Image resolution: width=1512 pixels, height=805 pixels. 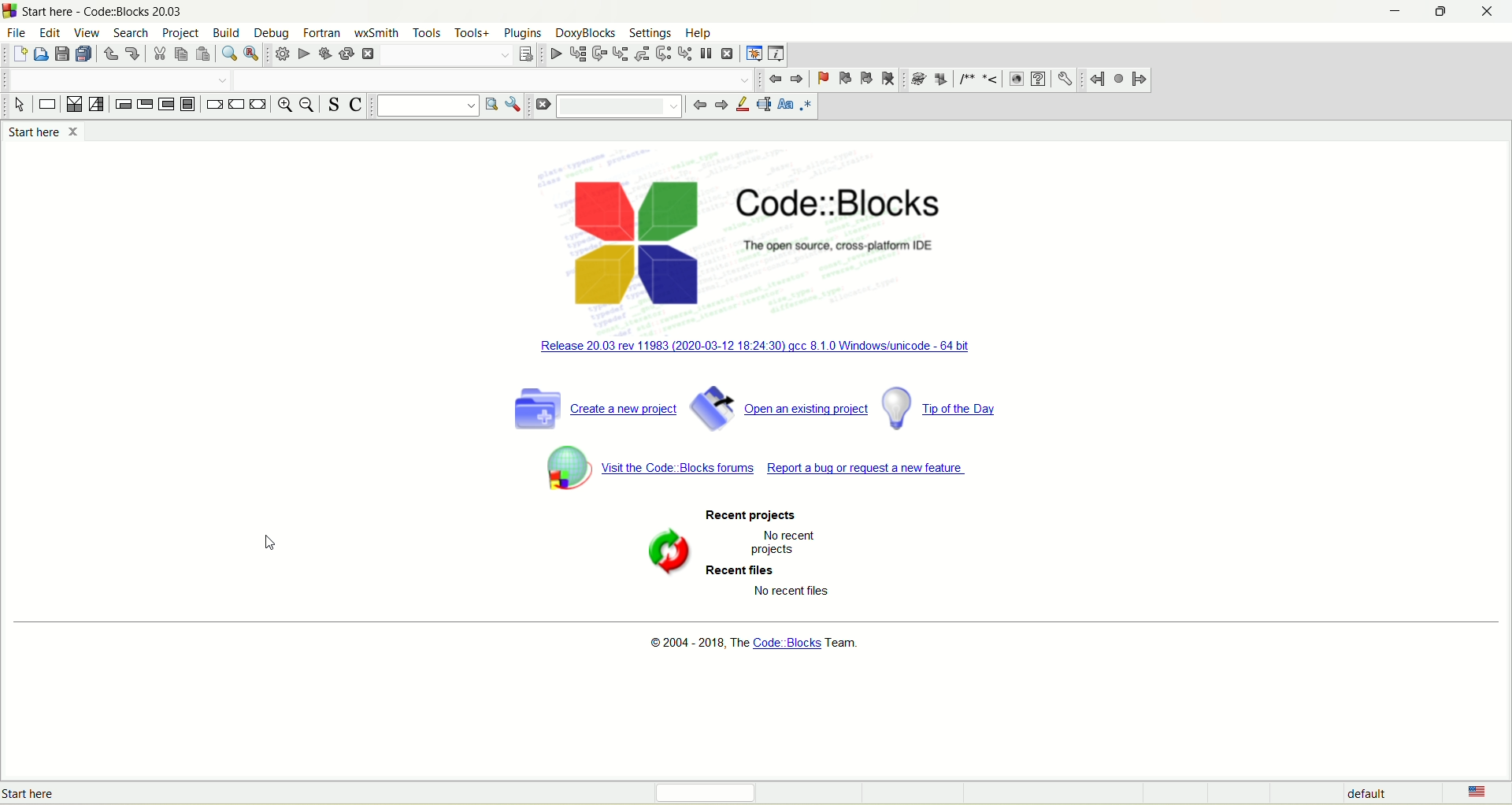 What do you see at coordinates (747, 516) in the screenshot?
I see `recent projects` at bounding box center [747, 516].